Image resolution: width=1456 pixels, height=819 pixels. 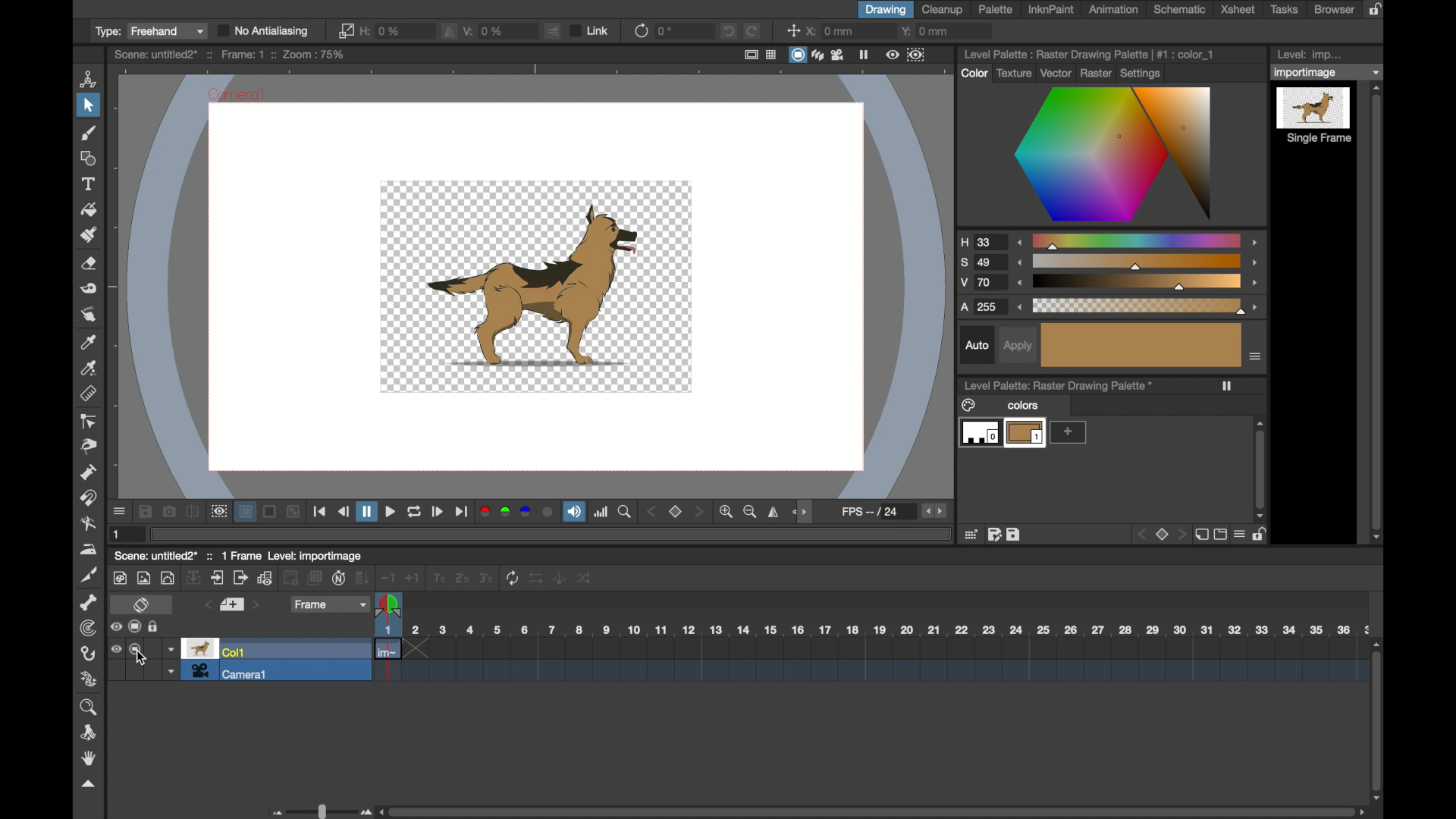 What do you see at coordinates (864, 55) in the screenshot?
I see `pause` at bounding box center [864, 55].